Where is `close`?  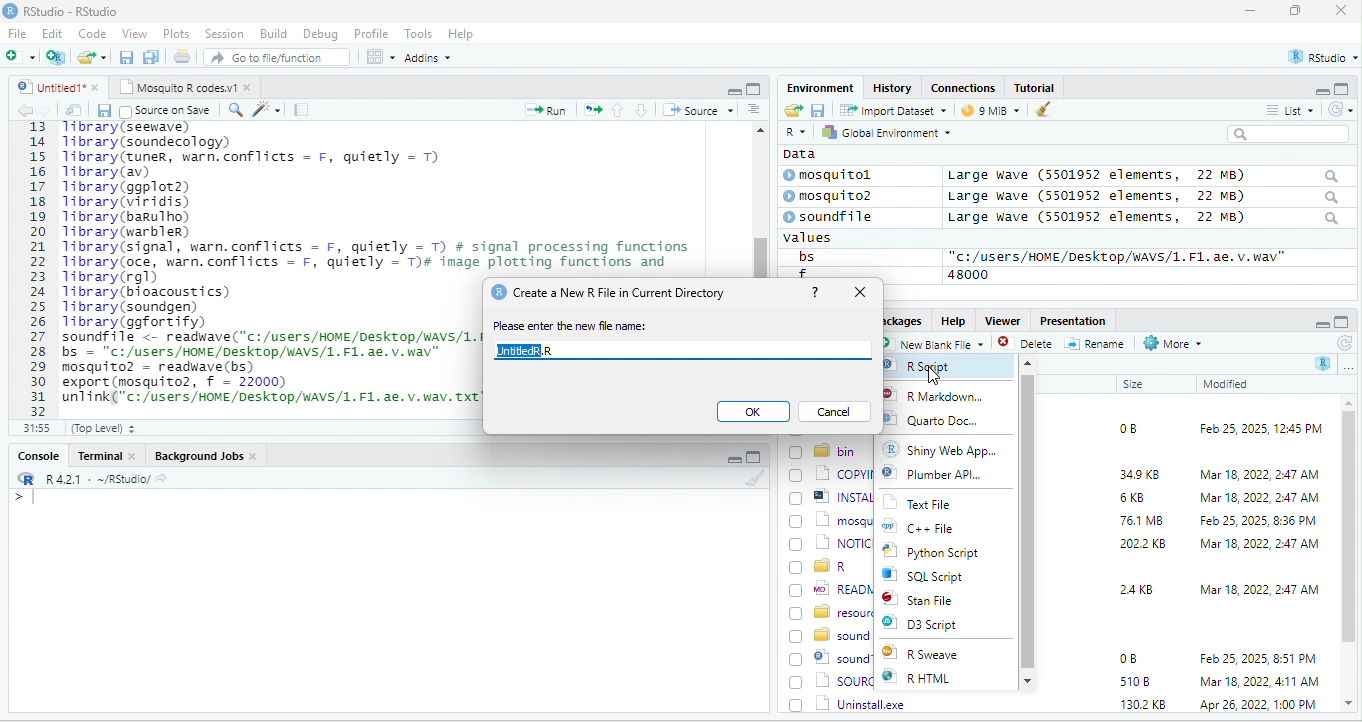 close is located at coordinates (1341, 12).